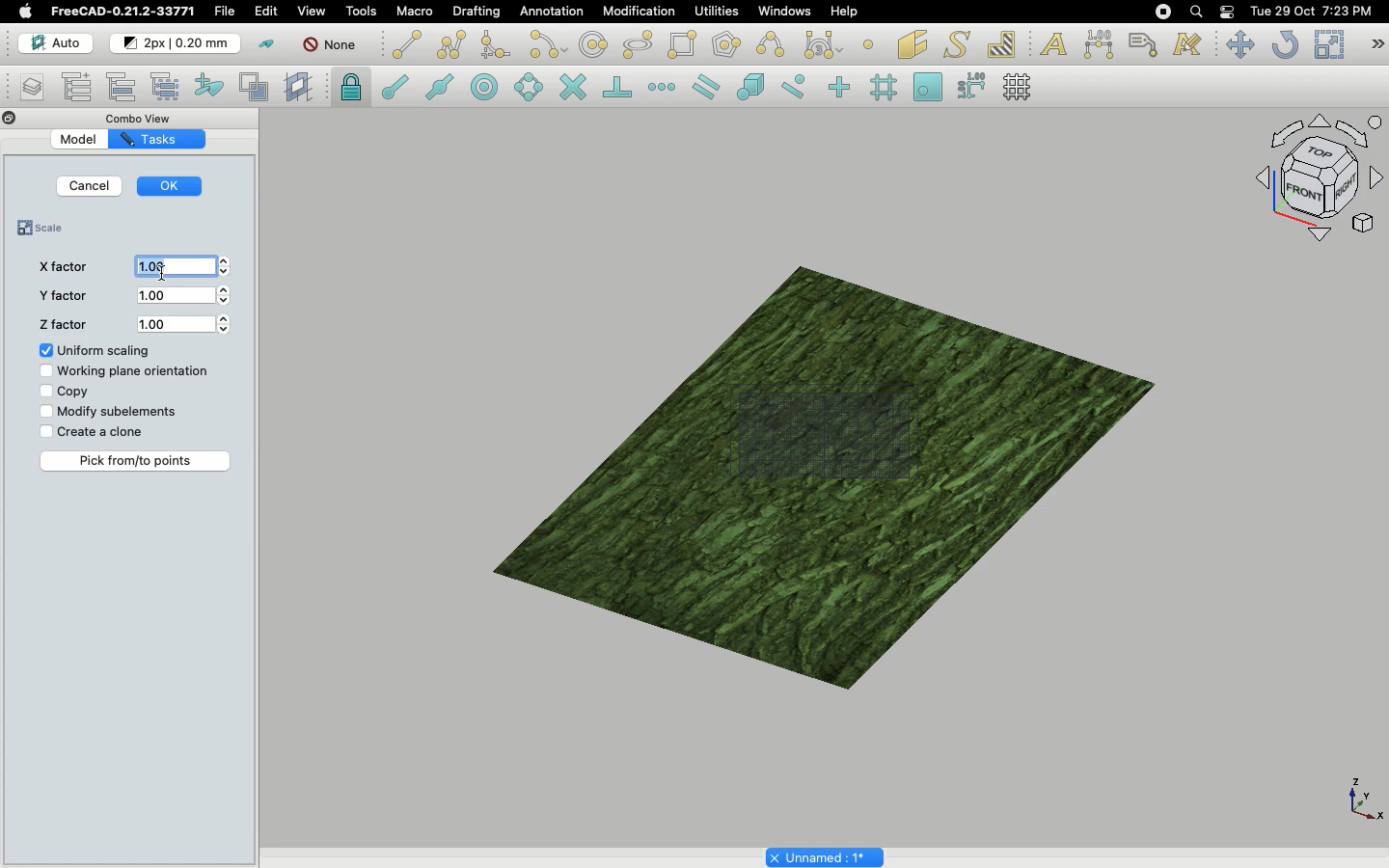  What do you see at coordinates (62, 326) in the screenshot?
I see `Z factor` at bounding box center [62, 326].